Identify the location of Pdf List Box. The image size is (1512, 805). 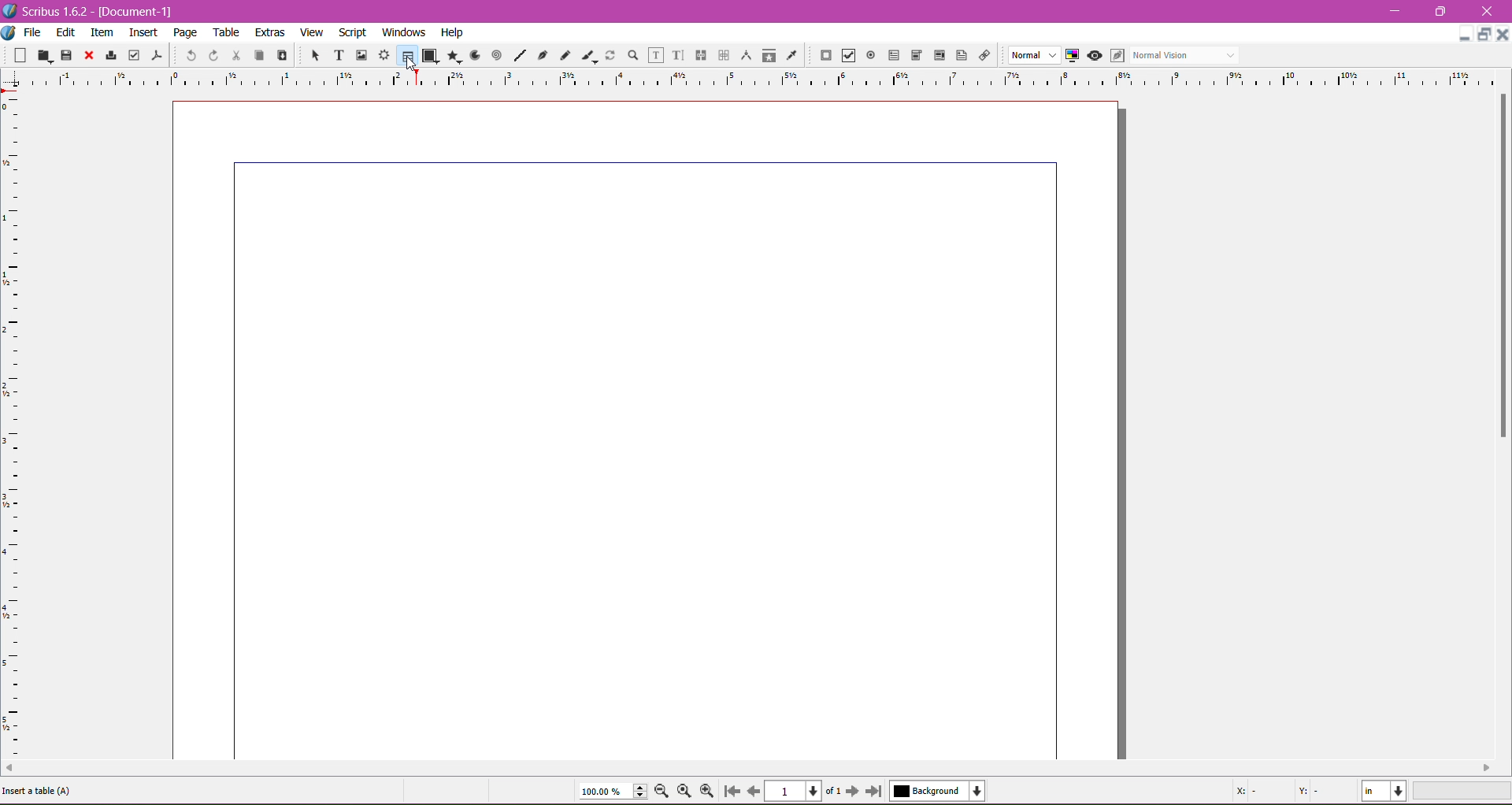
(937, 56).